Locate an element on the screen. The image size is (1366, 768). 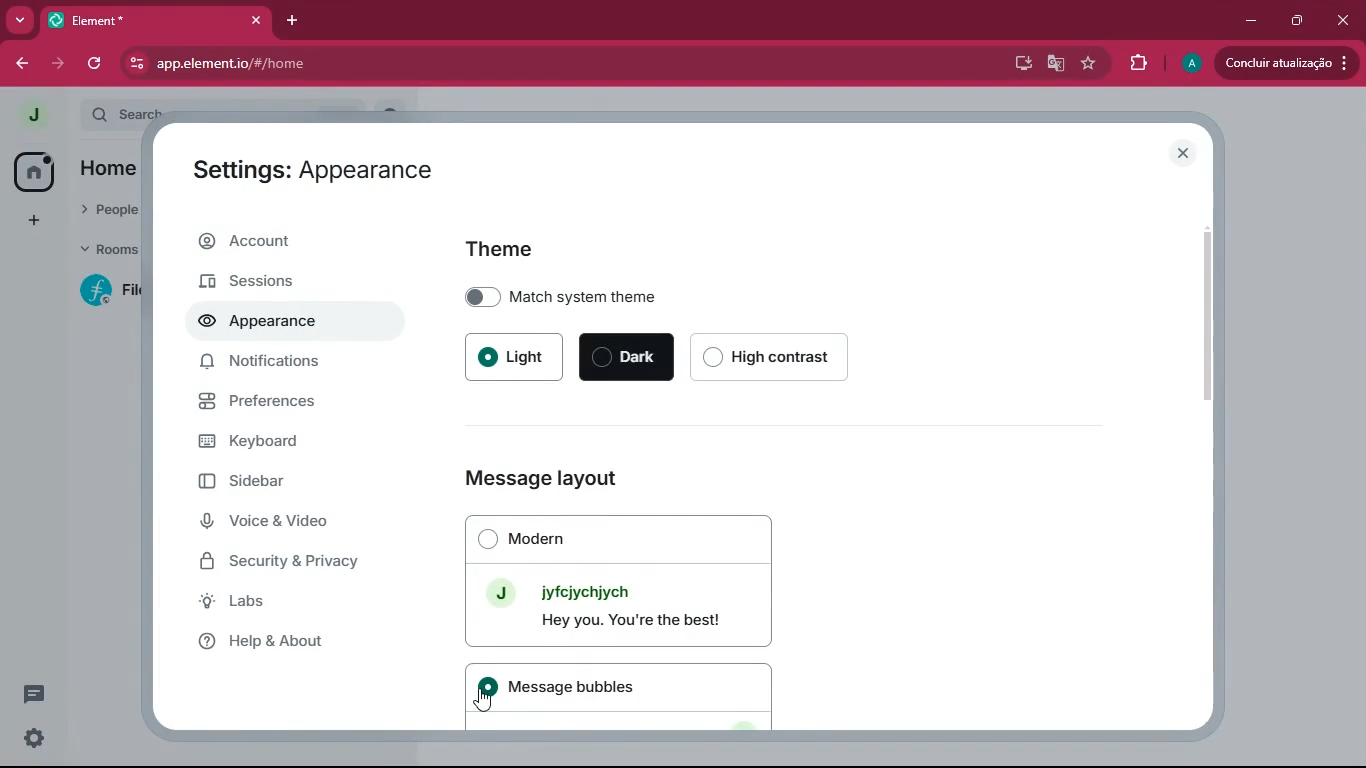
forward is located at coordinates (61, 66).